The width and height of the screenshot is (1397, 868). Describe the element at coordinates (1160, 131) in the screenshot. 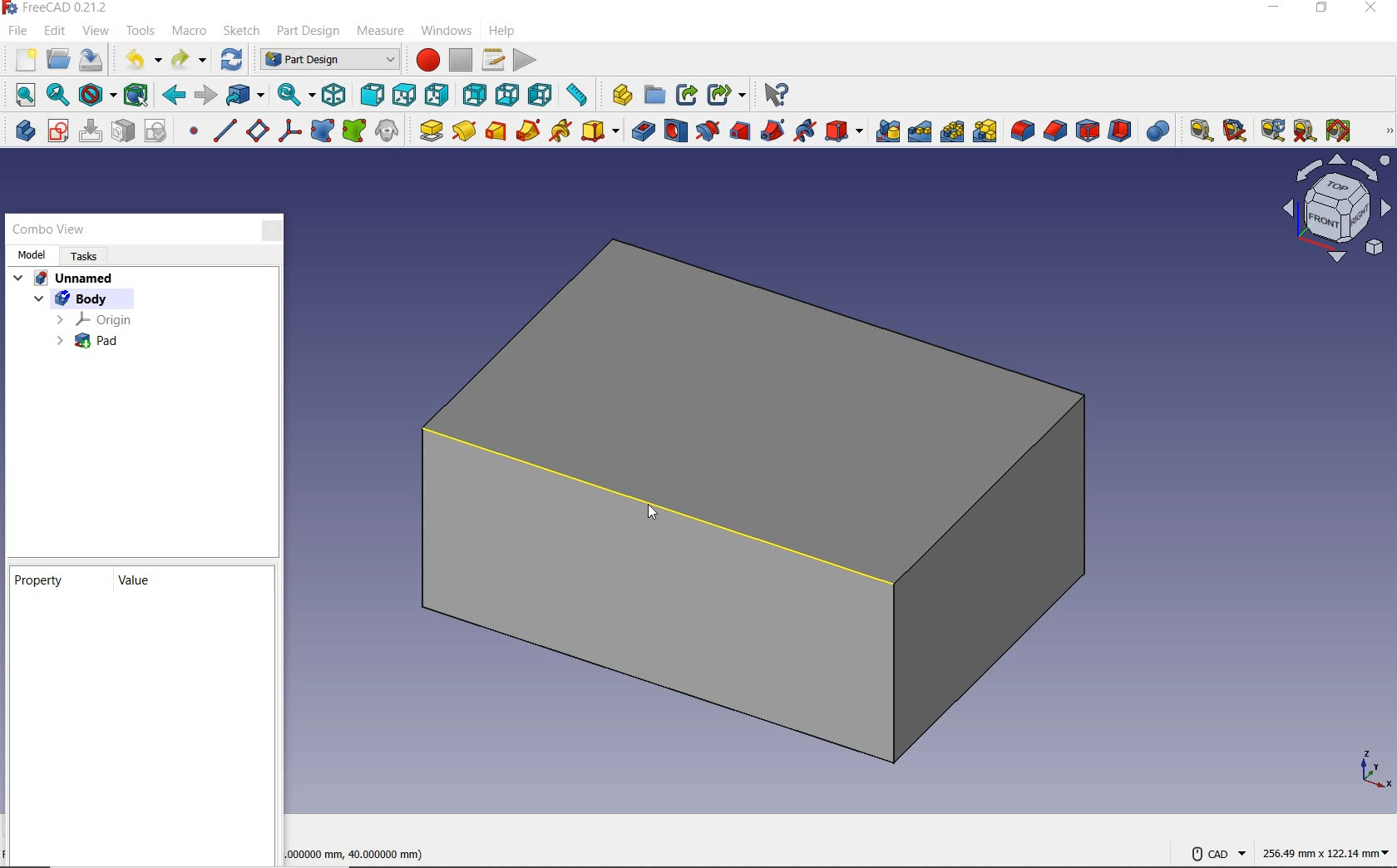

I see `Boolean operation` at that location.